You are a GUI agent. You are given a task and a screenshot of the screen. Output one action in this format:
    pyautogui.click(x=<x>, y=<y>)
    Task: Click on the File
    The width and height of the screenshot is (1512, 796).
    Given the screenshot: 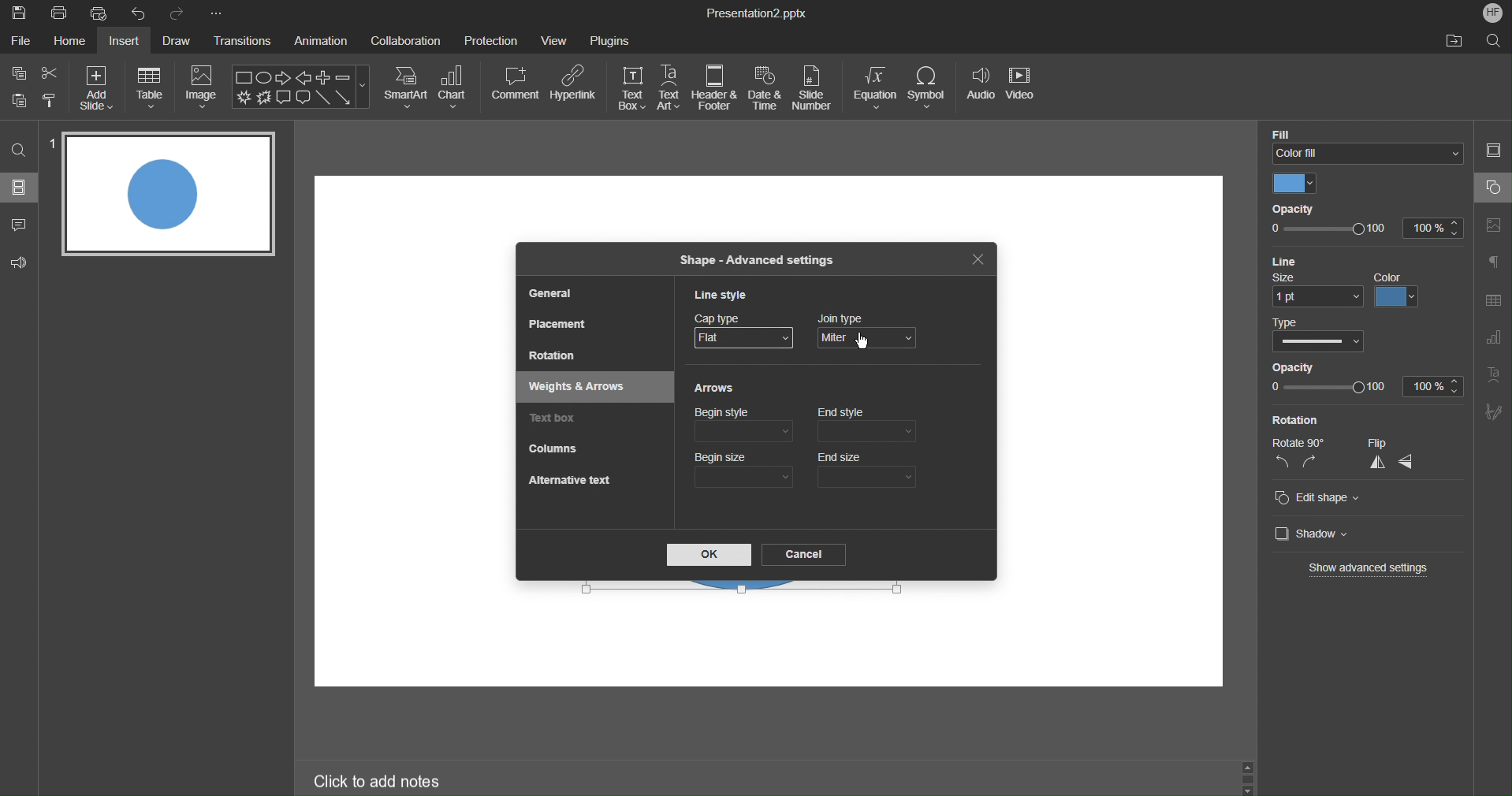 What is the action you would take?
    pyautogui.click(x=20, y=42)
    